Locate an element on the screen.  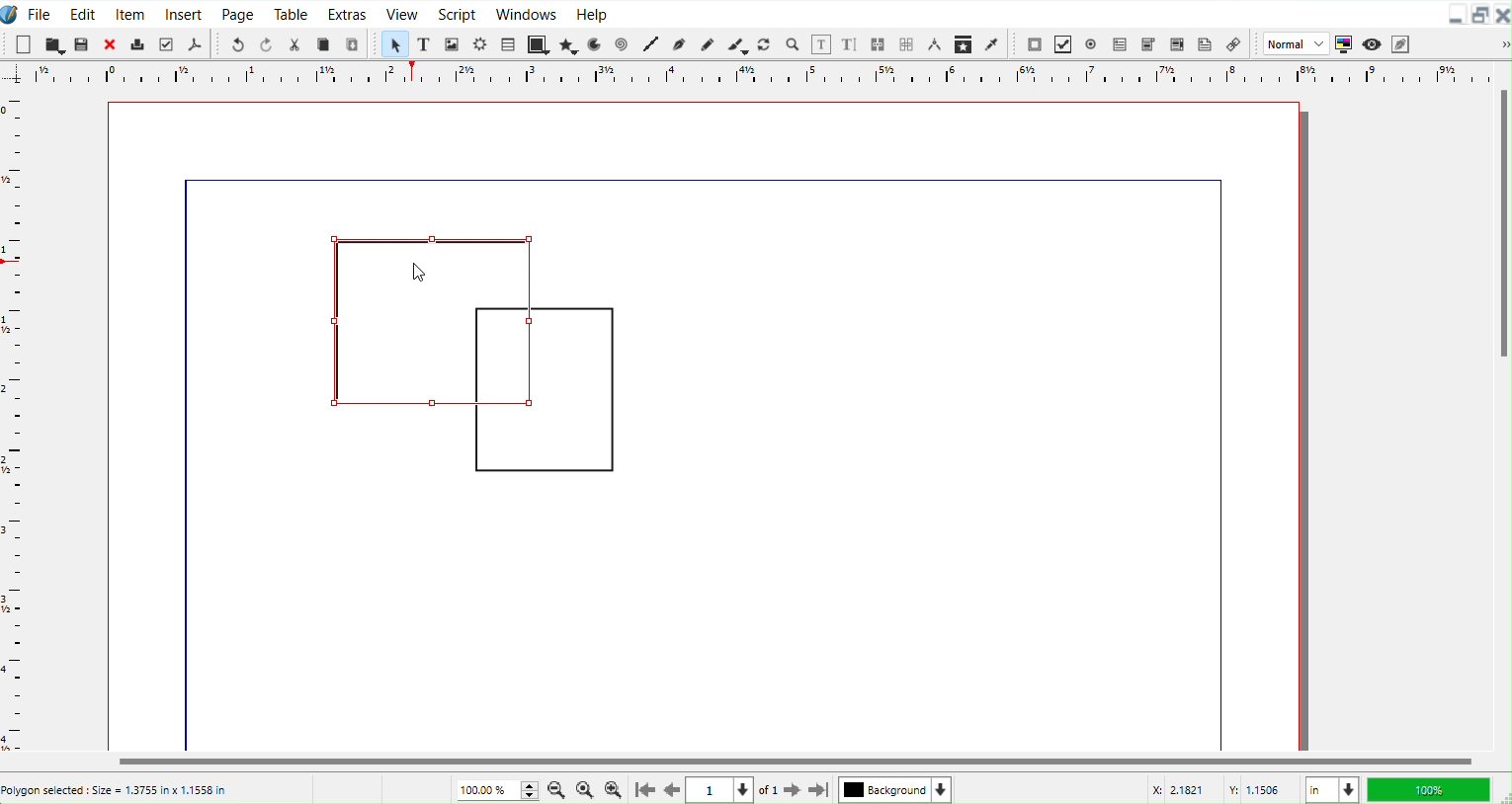
Close is located at coordinates (1502, 15).